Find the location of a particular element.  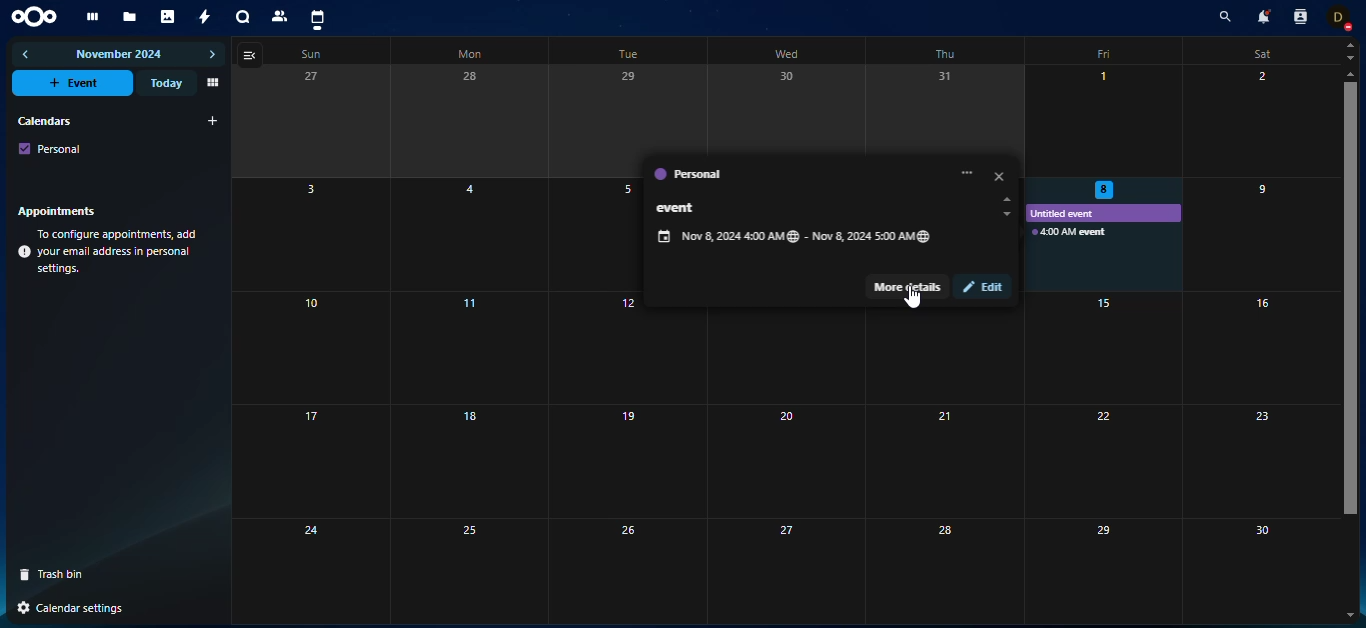

event is located at coordinates (1069, 232).